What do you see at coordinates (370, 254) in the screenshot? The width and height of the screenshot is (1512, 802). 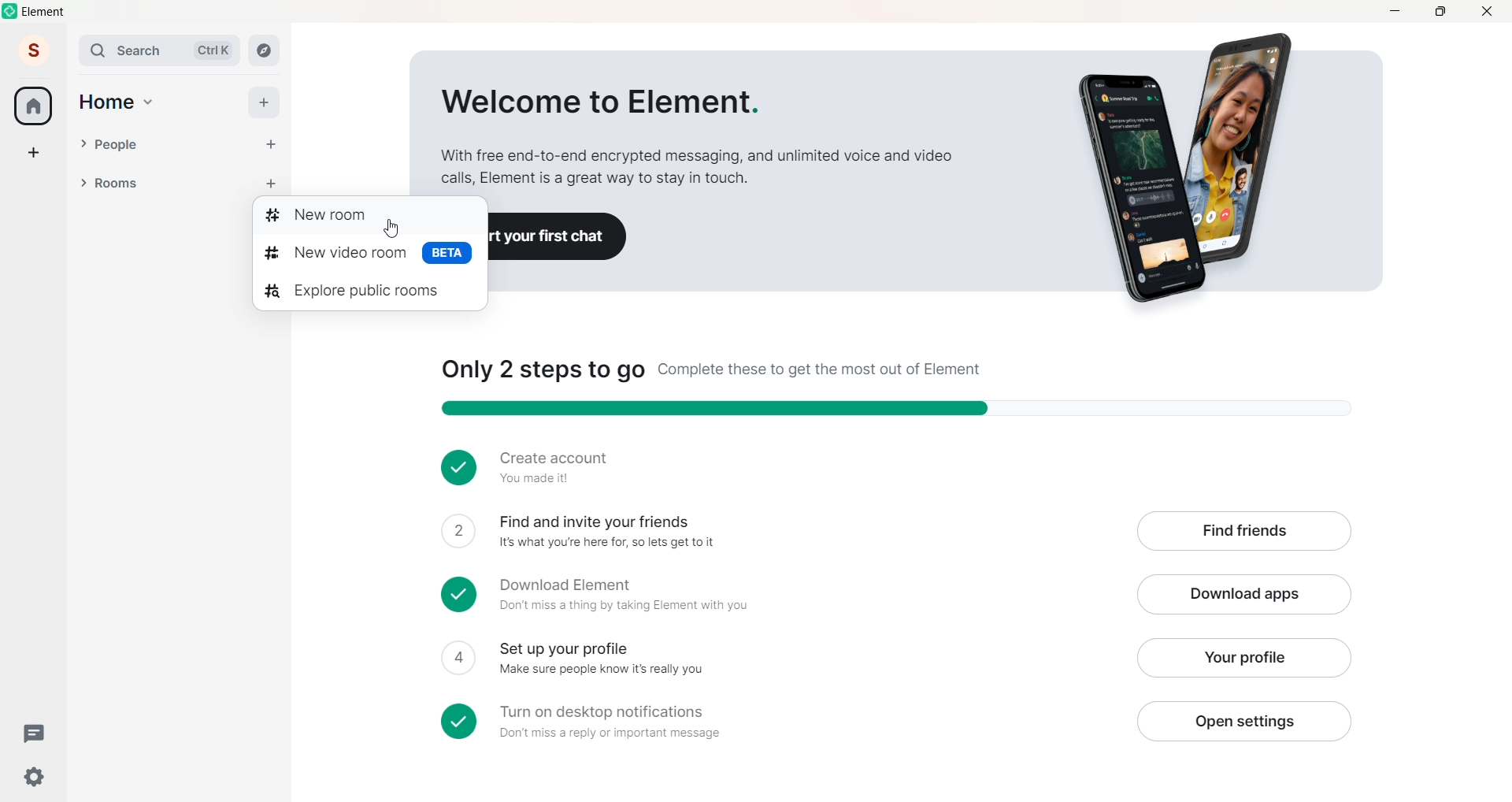 I see `New Video Room Beta` at bounding box center [370, 254].